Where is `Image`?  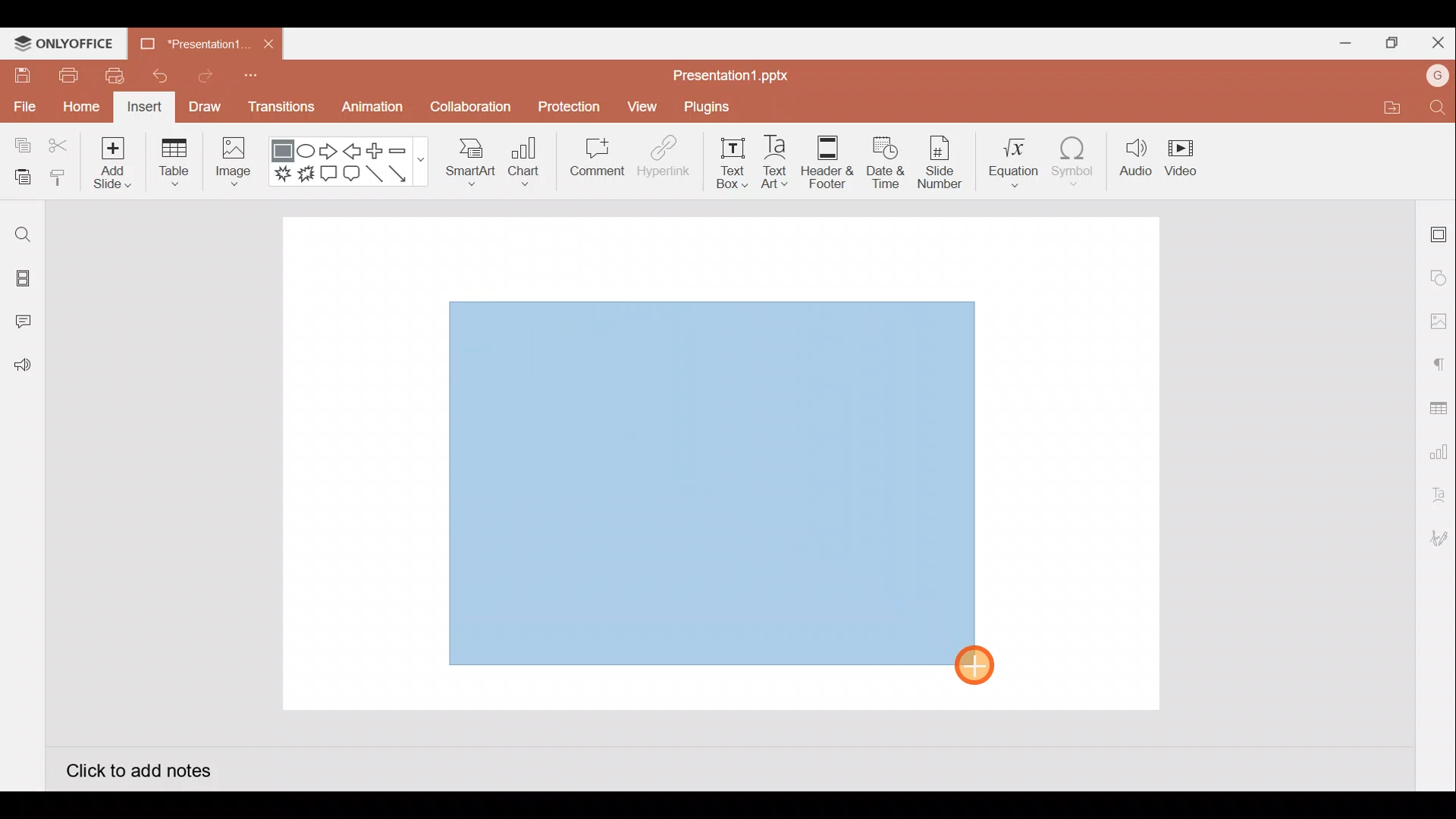 Image is located at coordinates (231, 165).